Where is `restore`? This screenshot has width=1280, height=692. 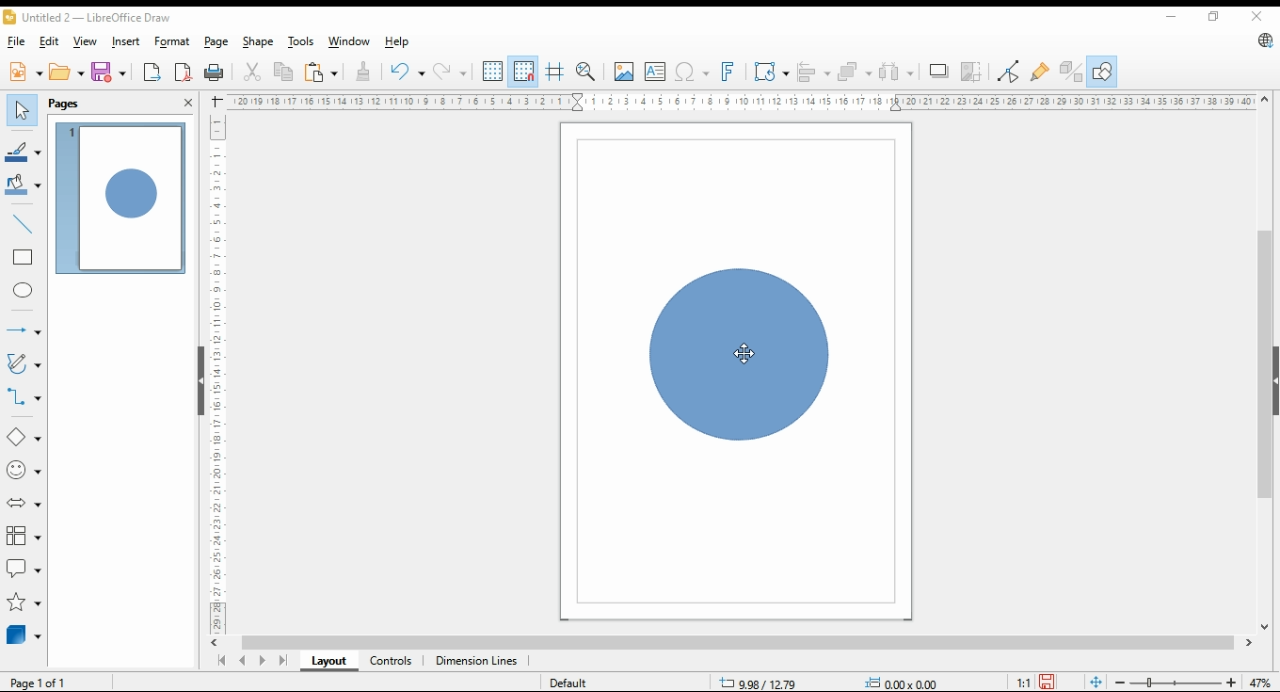 restore is located at coordinates (1218, 17).